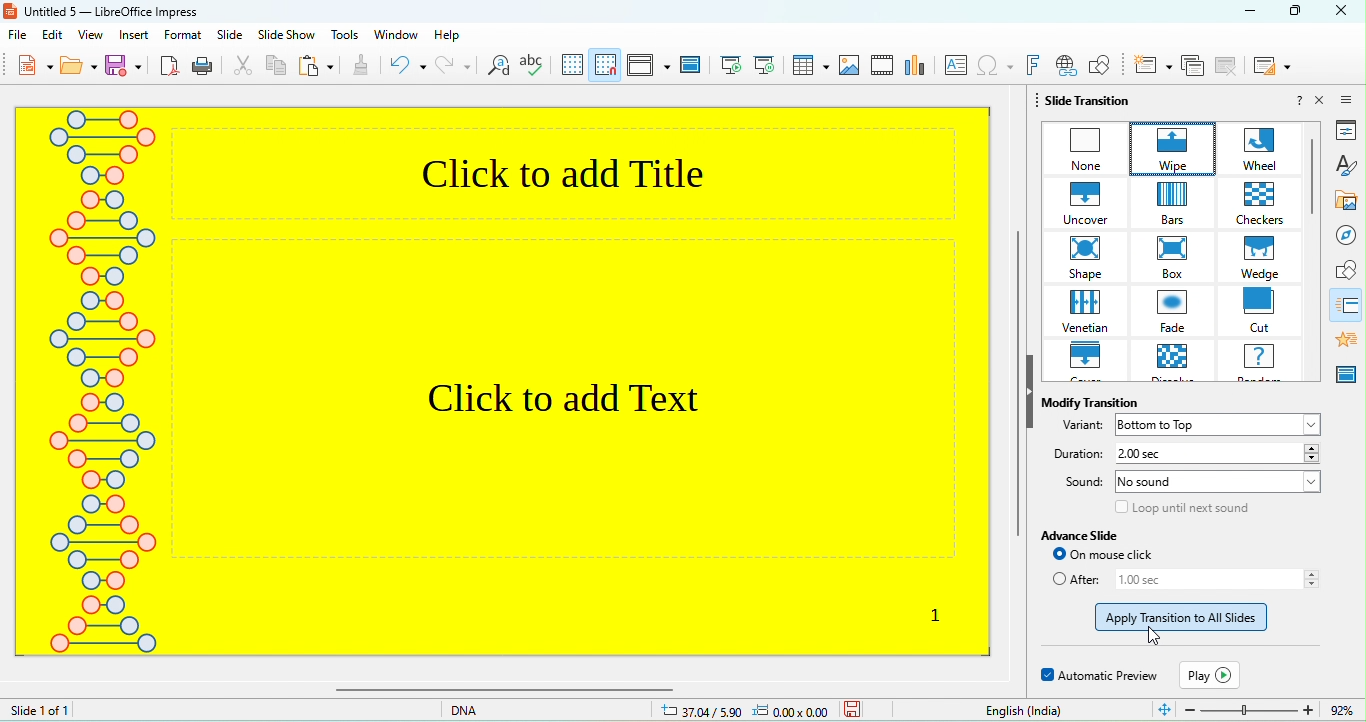 The image size is (1366, 722). I want to click on window, so click(395, 37).